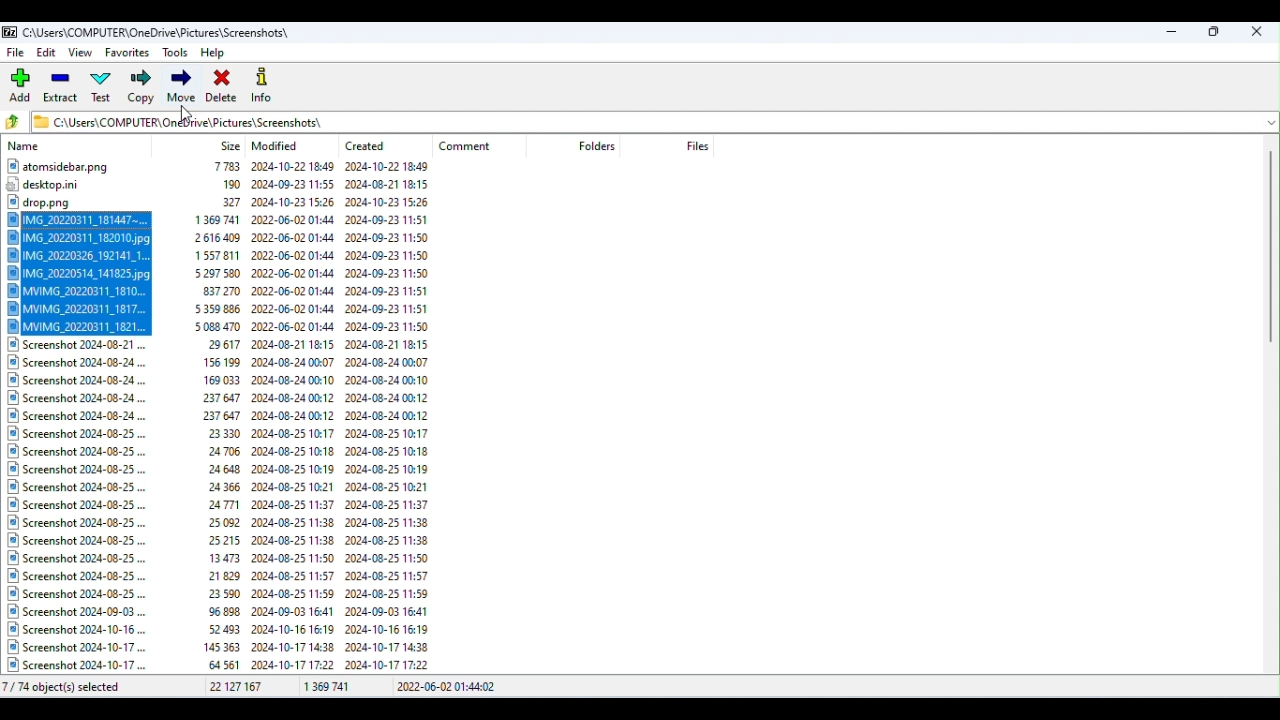 This screenshot has width=1280, height=720. I want to click on Help, so click(218, 51).